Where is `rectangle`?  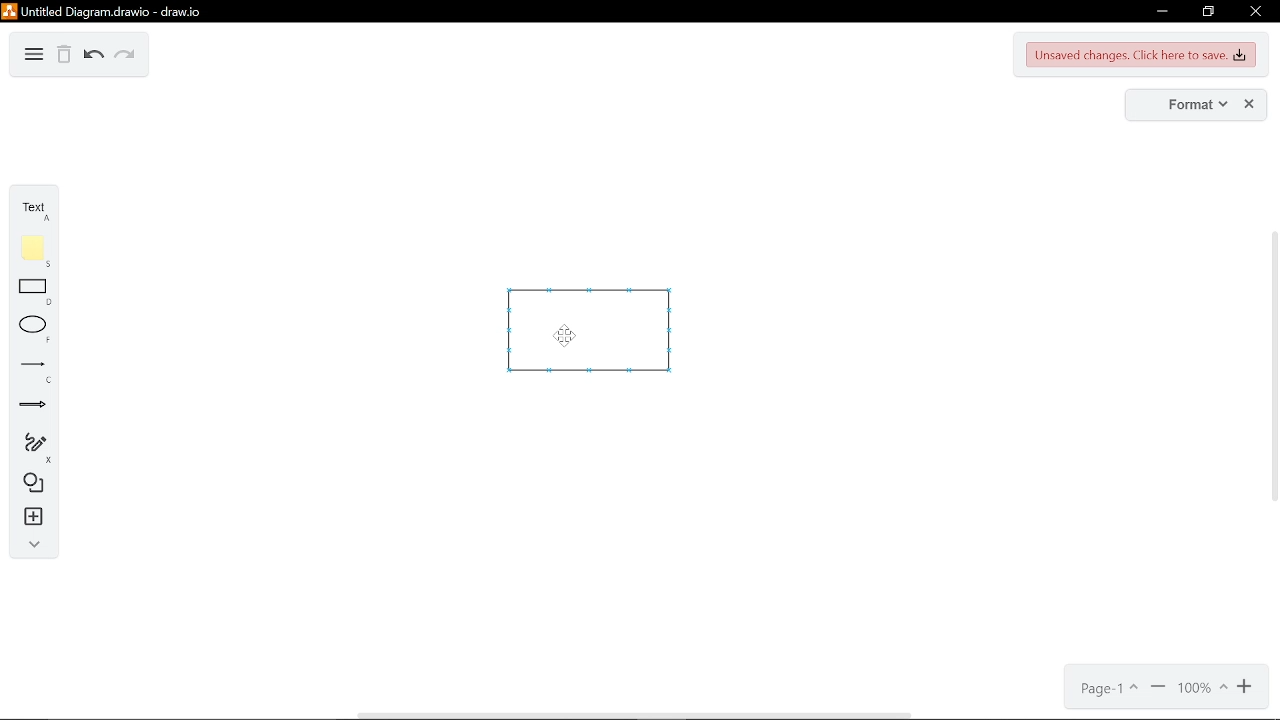
rectangle is located at coordinates (36, 294).